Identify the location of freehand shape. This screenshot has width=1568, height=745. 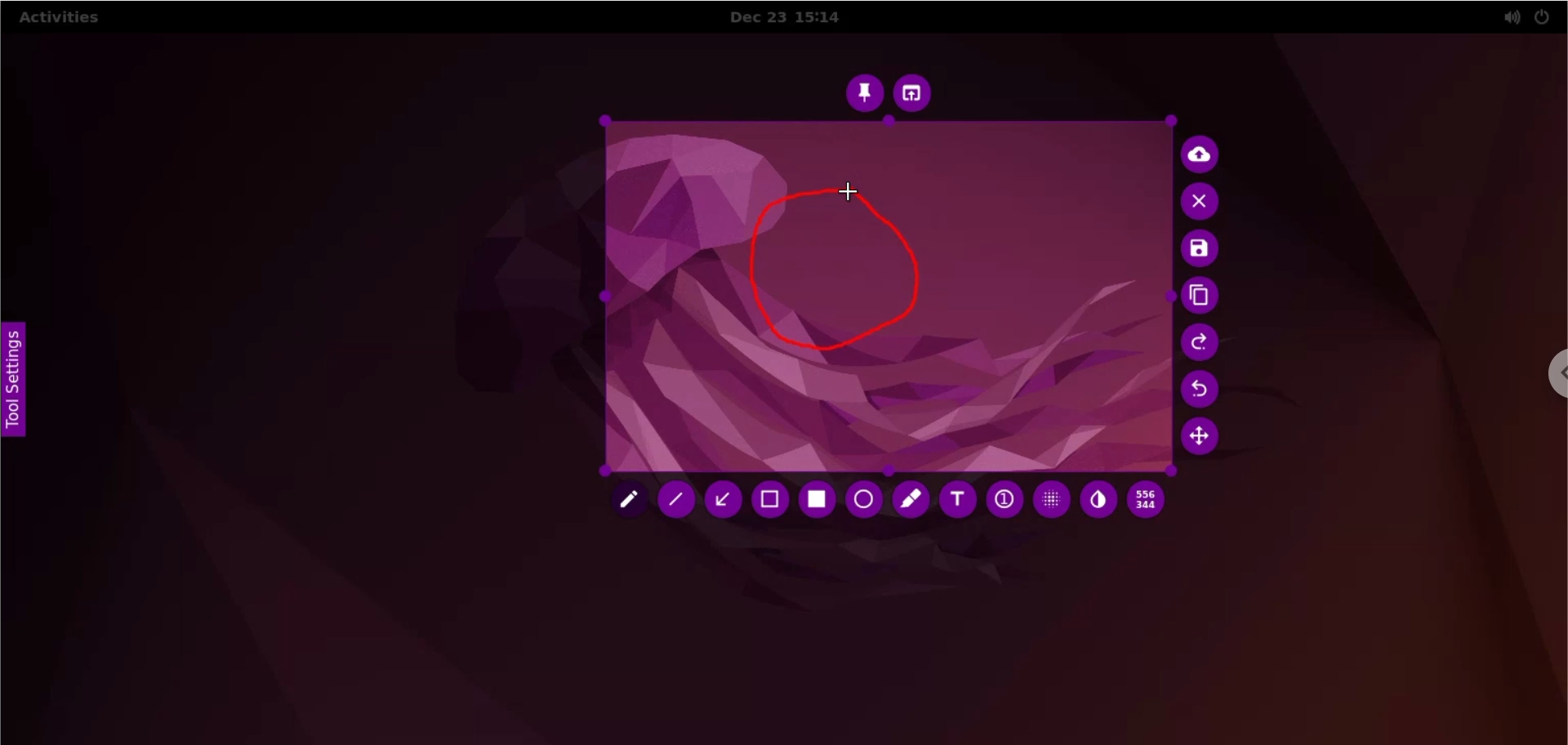
(837, 278).